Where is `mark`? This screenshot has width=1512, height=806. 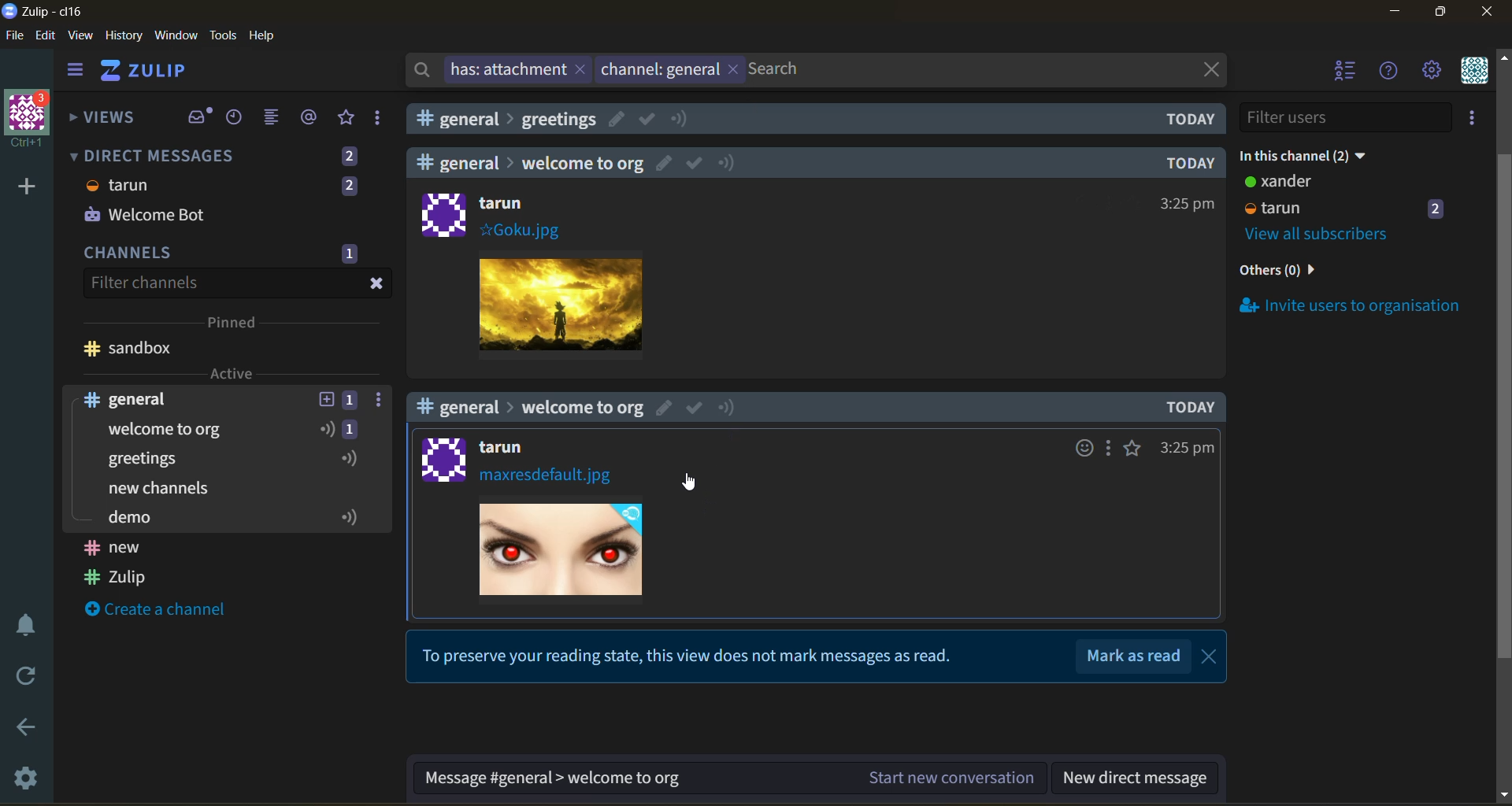
mark is located at coordinates (646, 118).